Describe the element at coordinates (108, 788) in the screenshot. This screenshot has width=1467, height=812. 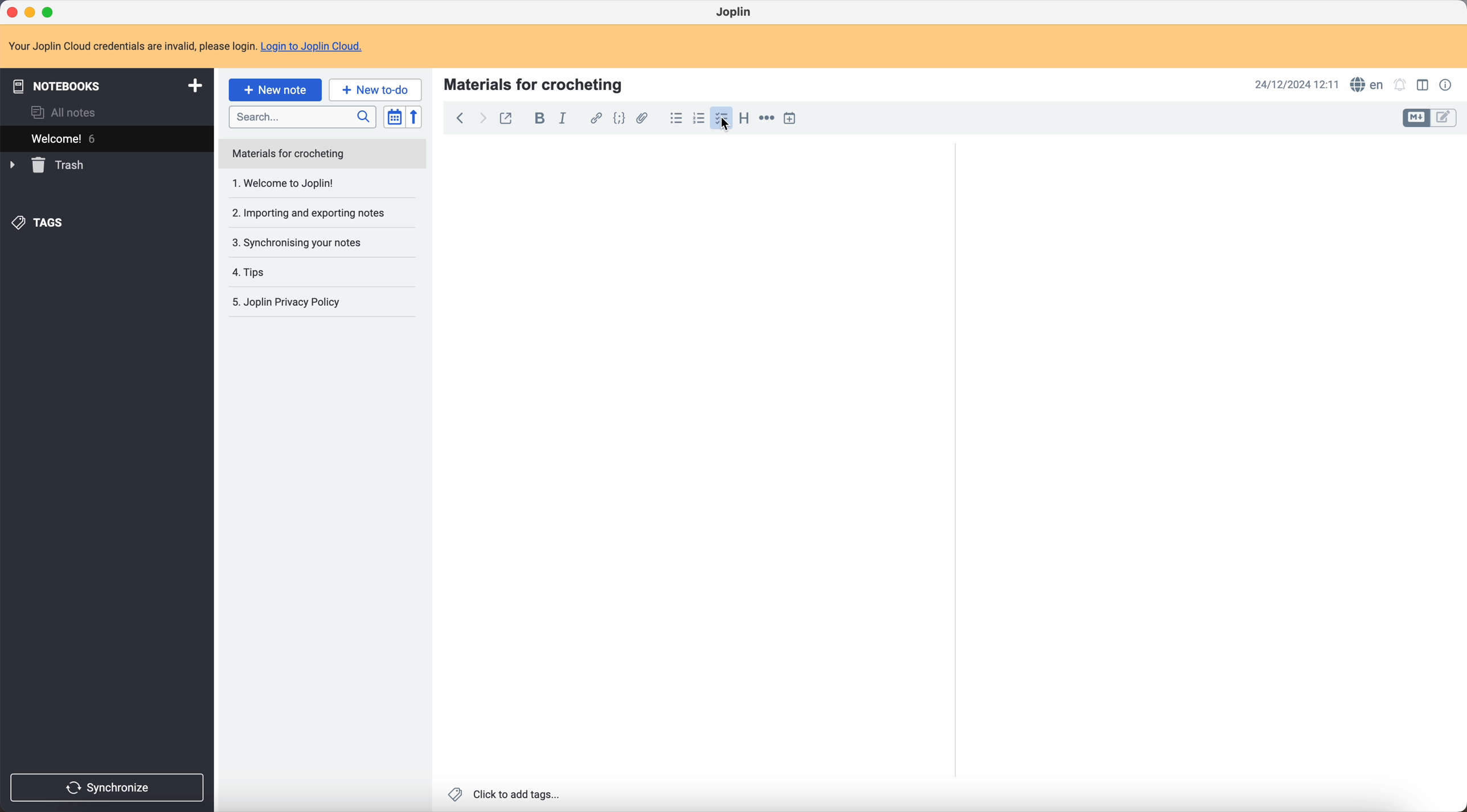
I see `synchronize` at that location.